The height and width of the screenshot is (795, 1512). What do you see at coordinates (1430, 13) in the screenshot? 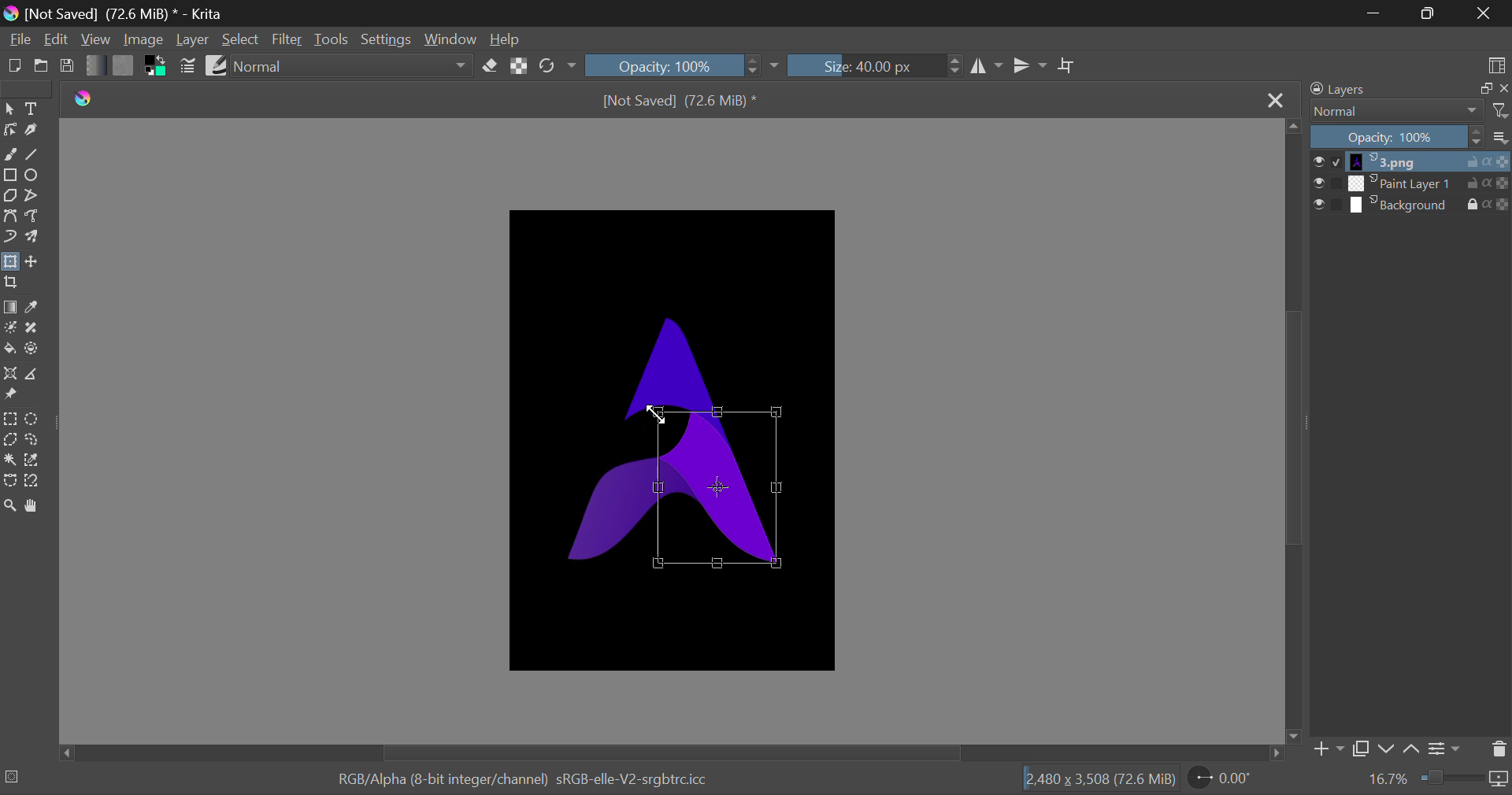
I see `Minimize` at bounding box center [1430, 13].